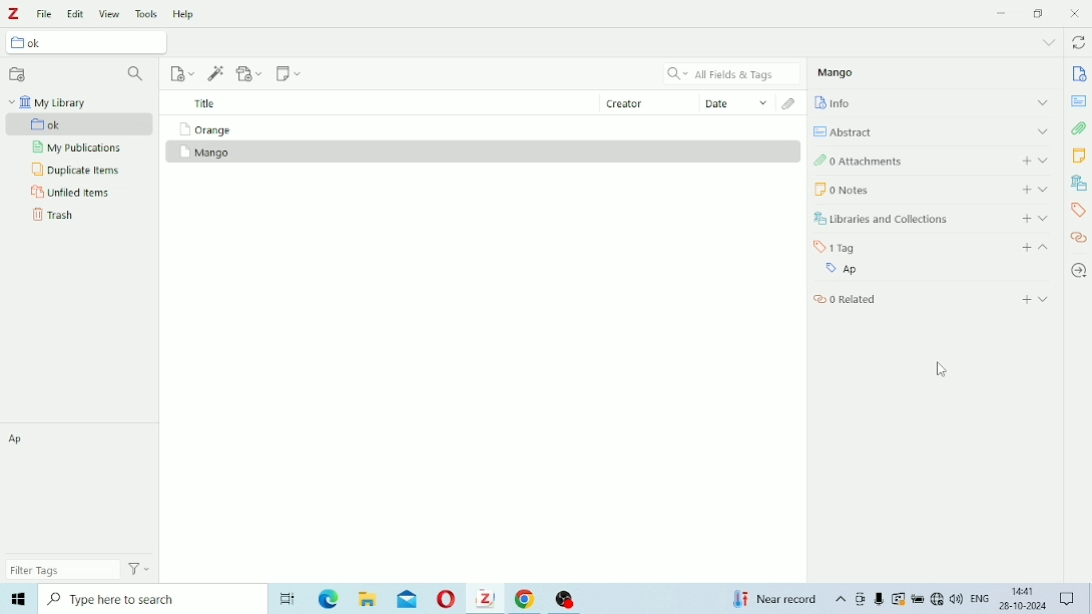 The image size is (1092, 614). Describe the element at coordinates (918, 599) in the screenshot. I see `Charging, plugged in` at that location.